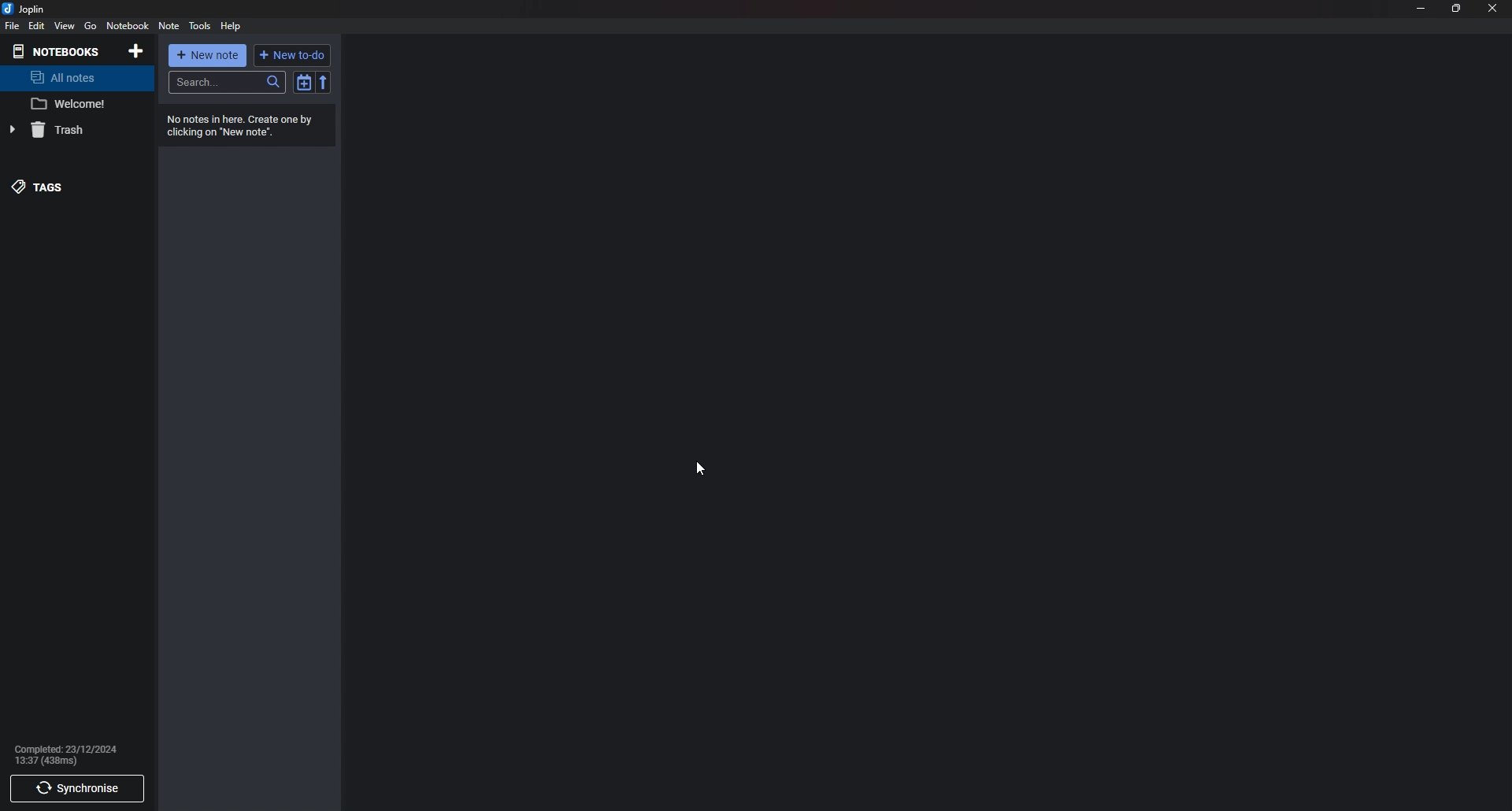  I want to click on help, so click(231, 26).